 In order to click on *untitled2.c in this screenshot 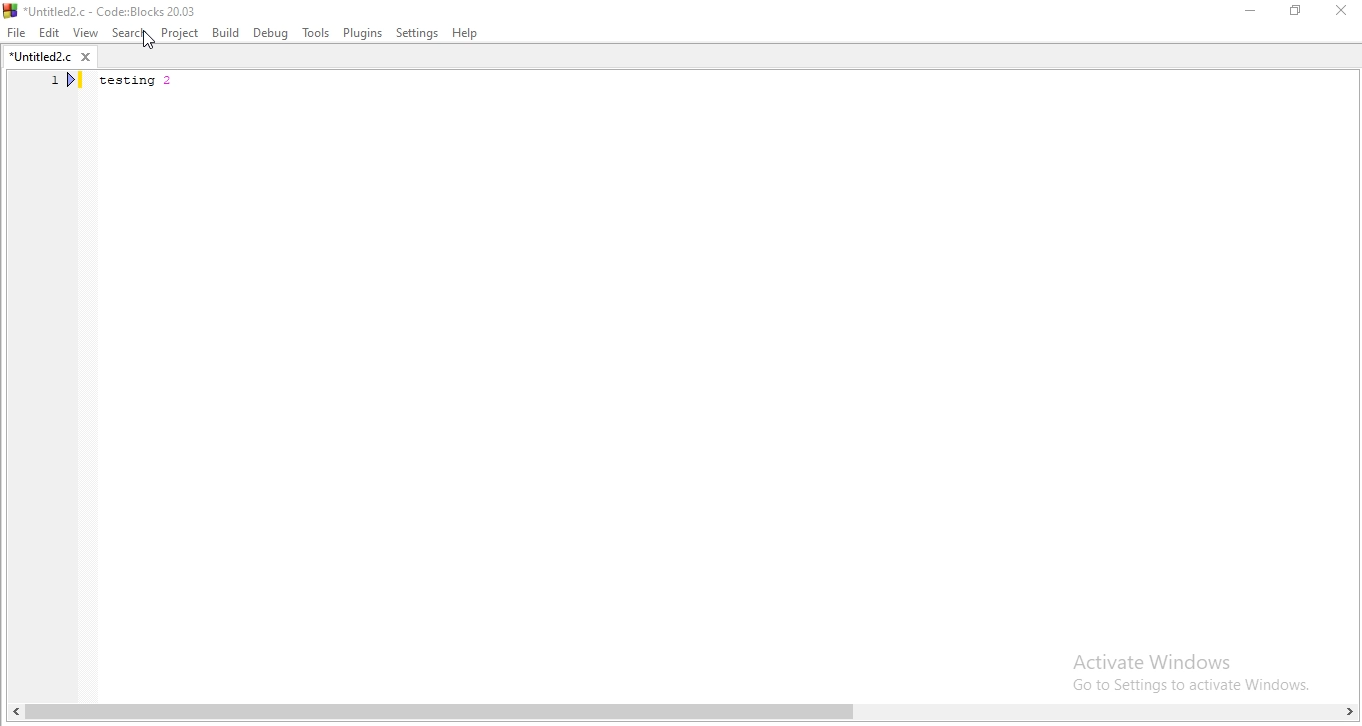, I will do `click(49, 59)`.